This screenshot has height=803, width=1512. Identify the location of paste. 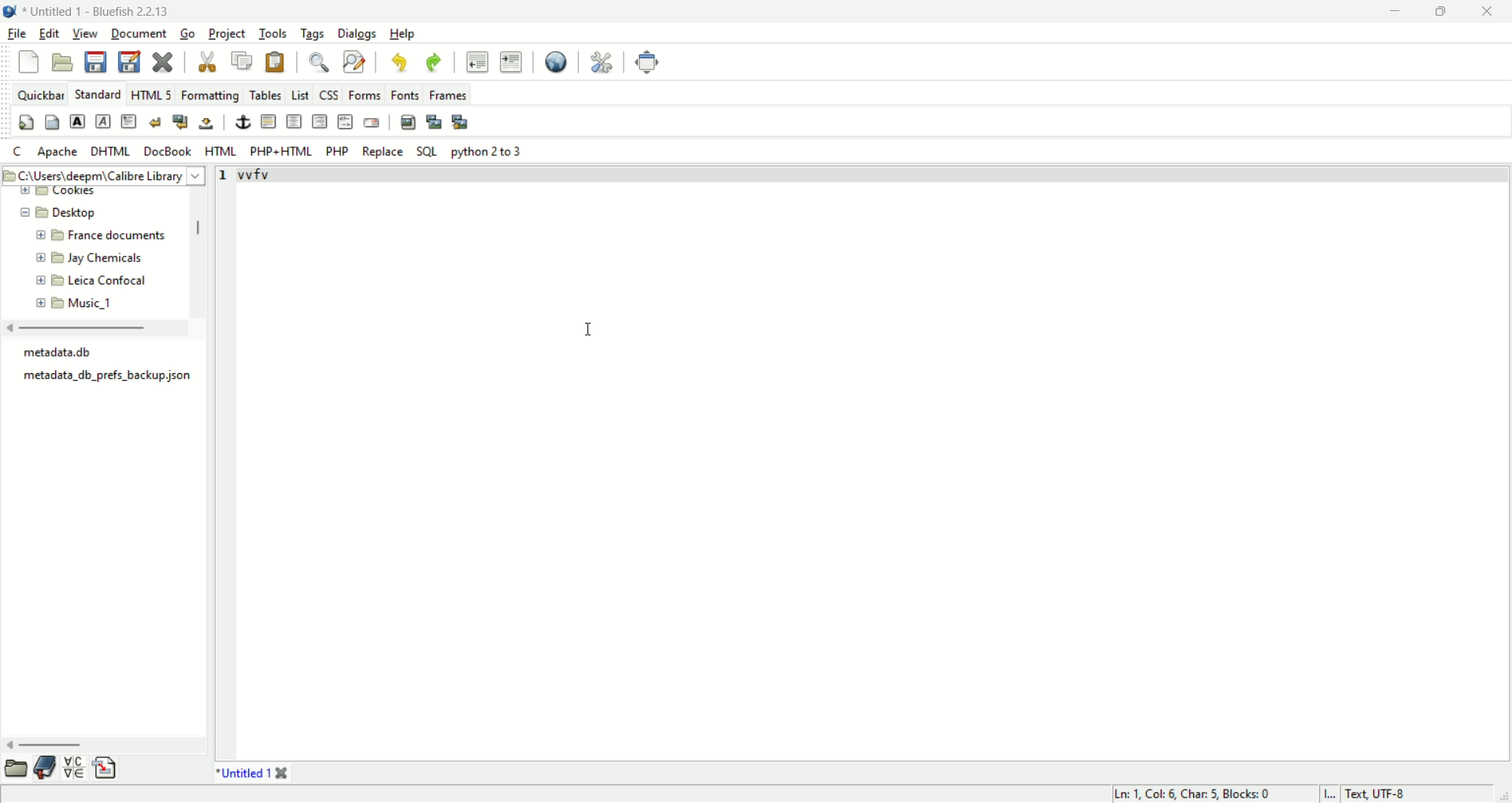
(278, 61).